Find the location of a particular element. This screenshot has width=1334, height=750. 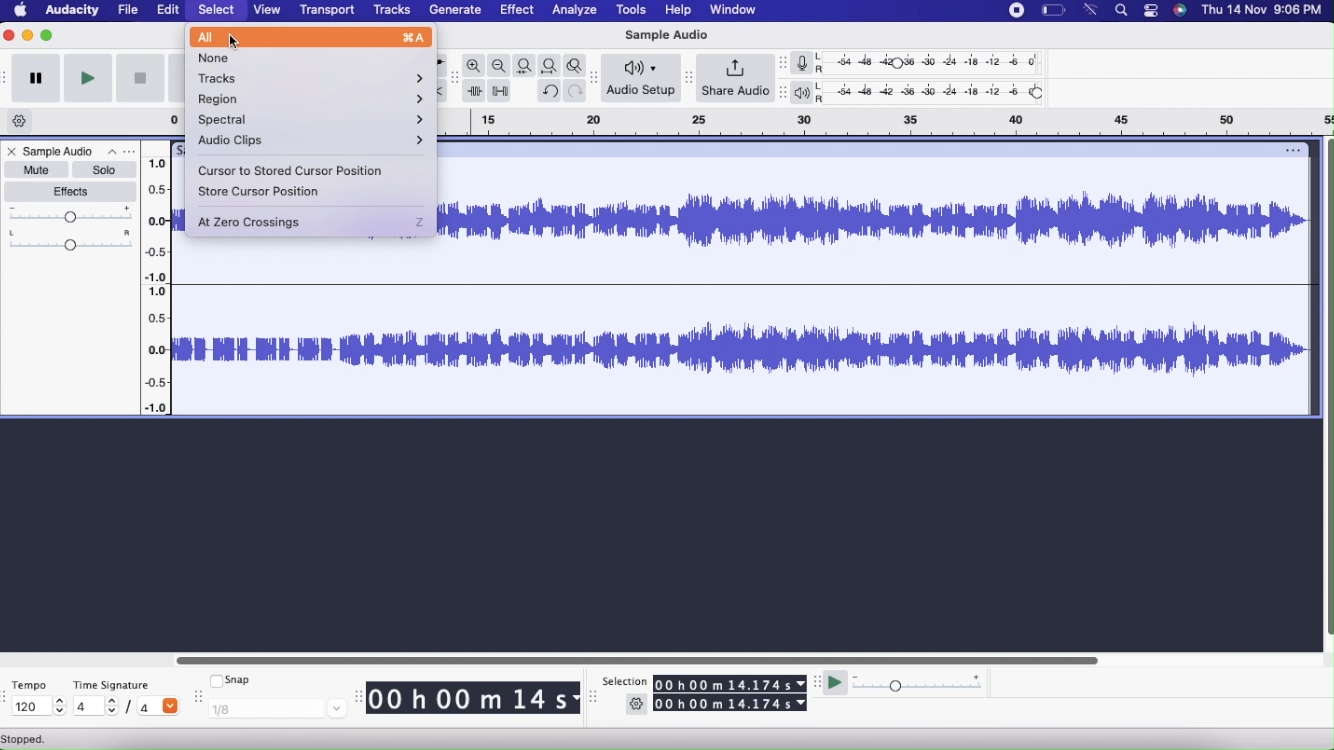

Effect is located at coordinates (516, 11).